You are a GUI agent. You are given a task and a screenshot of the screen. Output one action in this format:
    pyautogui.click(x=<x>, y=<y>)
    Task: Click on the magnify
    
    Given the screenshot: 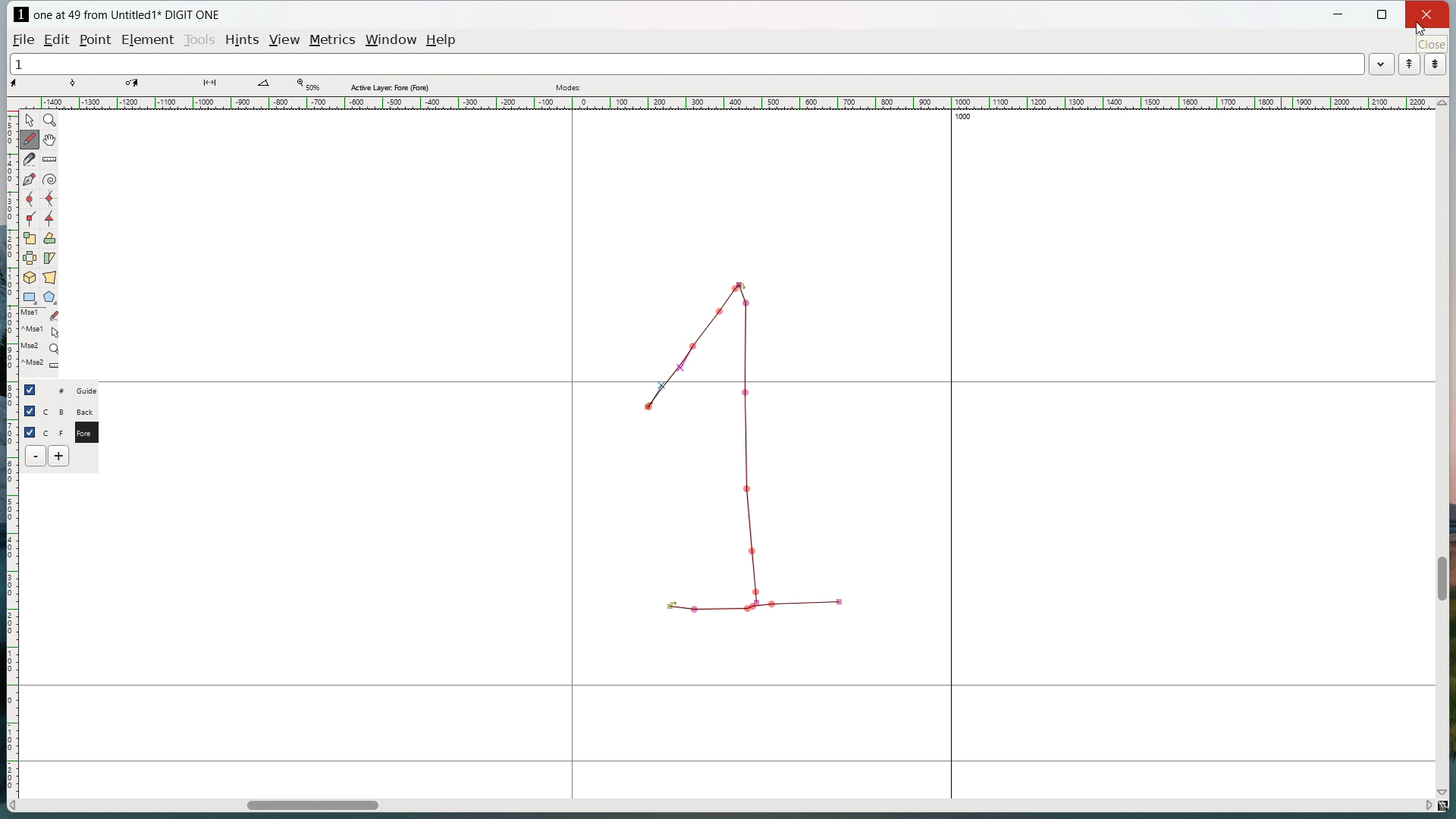 What is the action you would take?
    pyautogui.click(x=50, y=120)
    